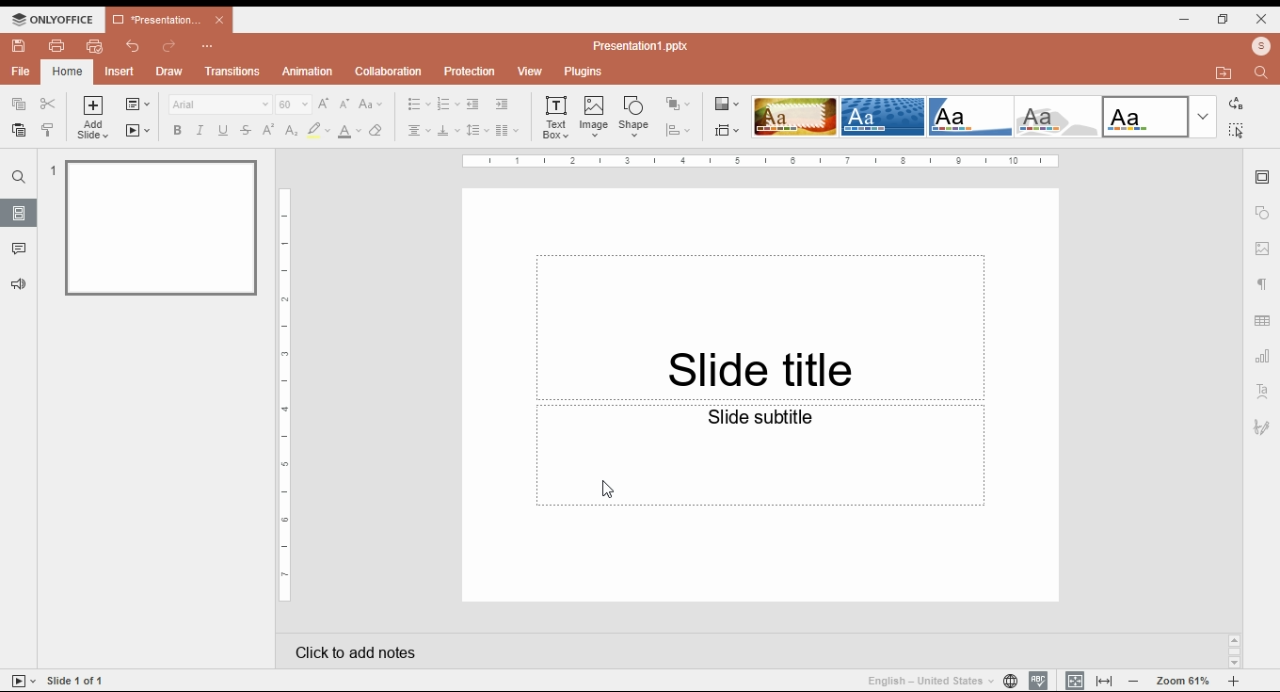 Image resolution: width=1280 pixels, height=692 pixels. I want to click on slide title, so click(760, 292).